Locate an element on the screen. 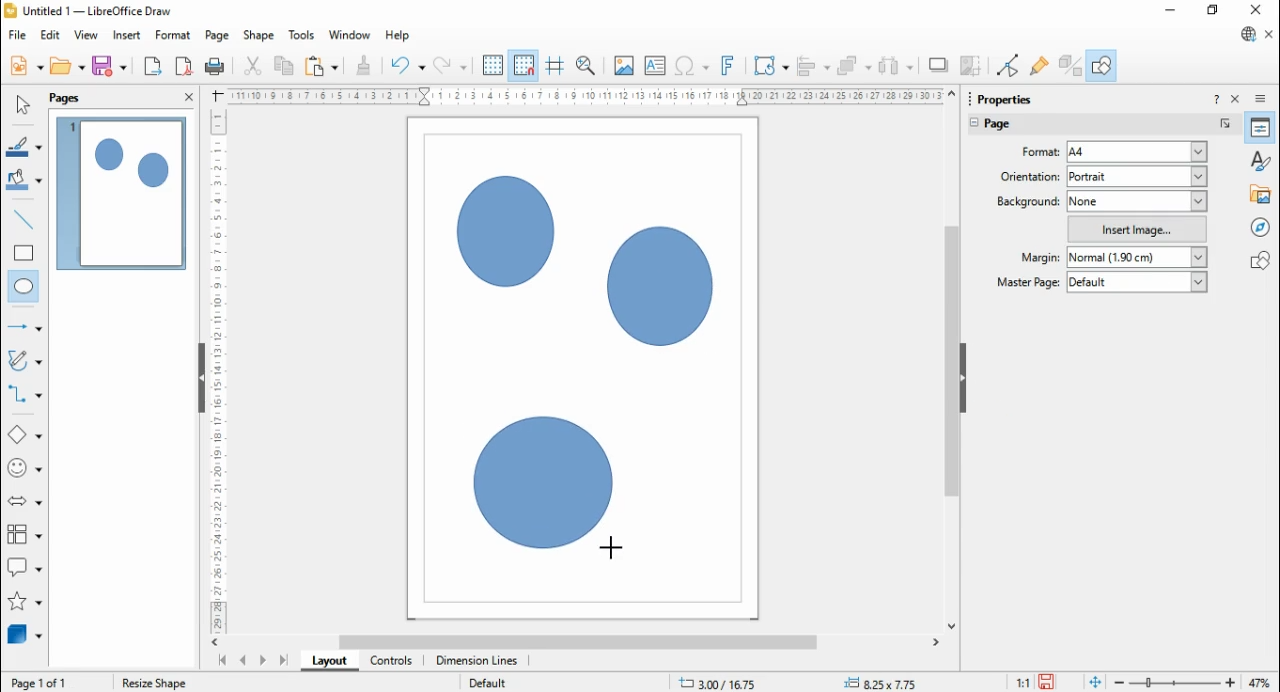 Image resolution: width=1280 pixels, height=692 pixels. shadow is located at coordinates (939, 65).